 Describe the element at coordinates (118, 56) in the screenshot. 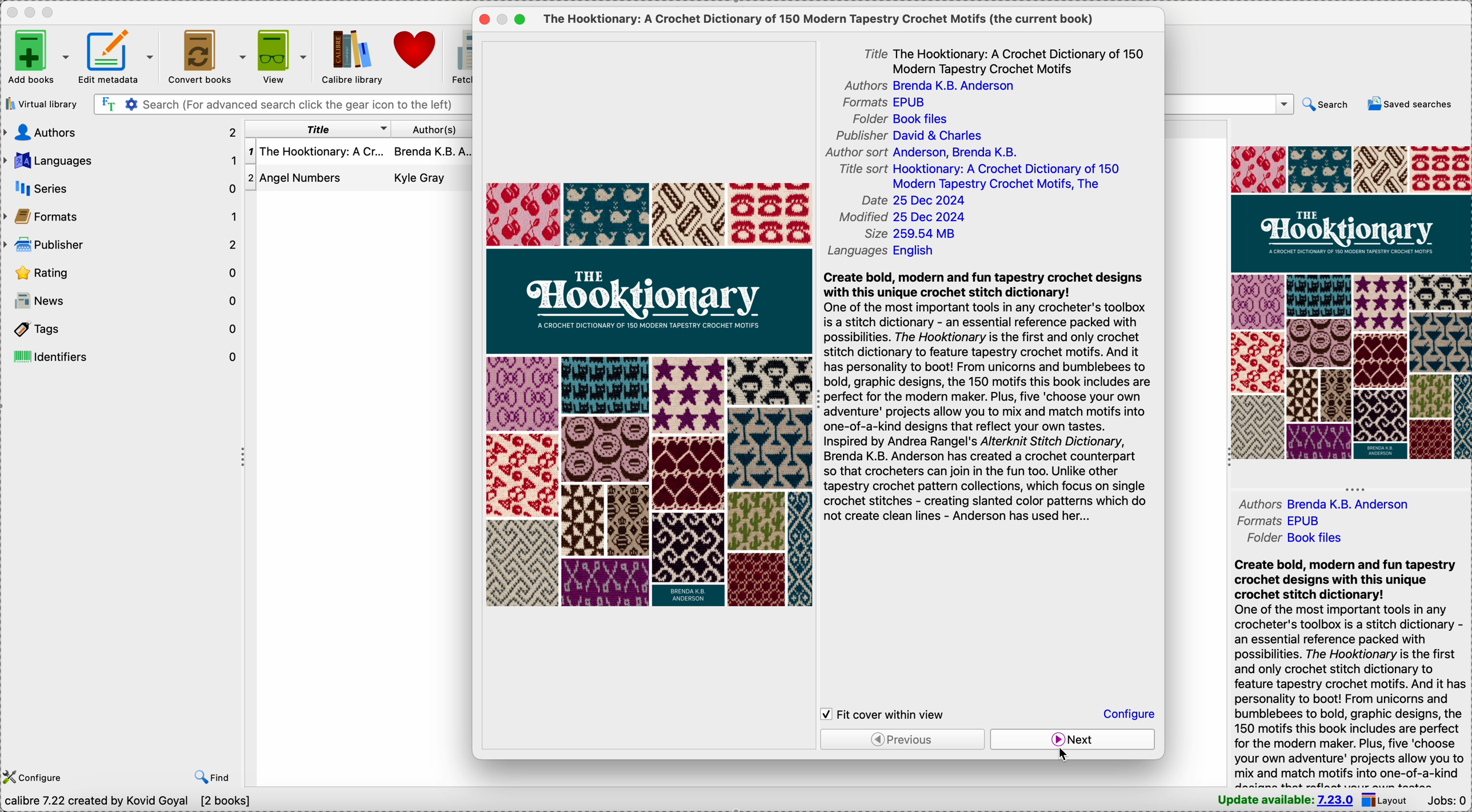

I see `edit metadata` at that location.